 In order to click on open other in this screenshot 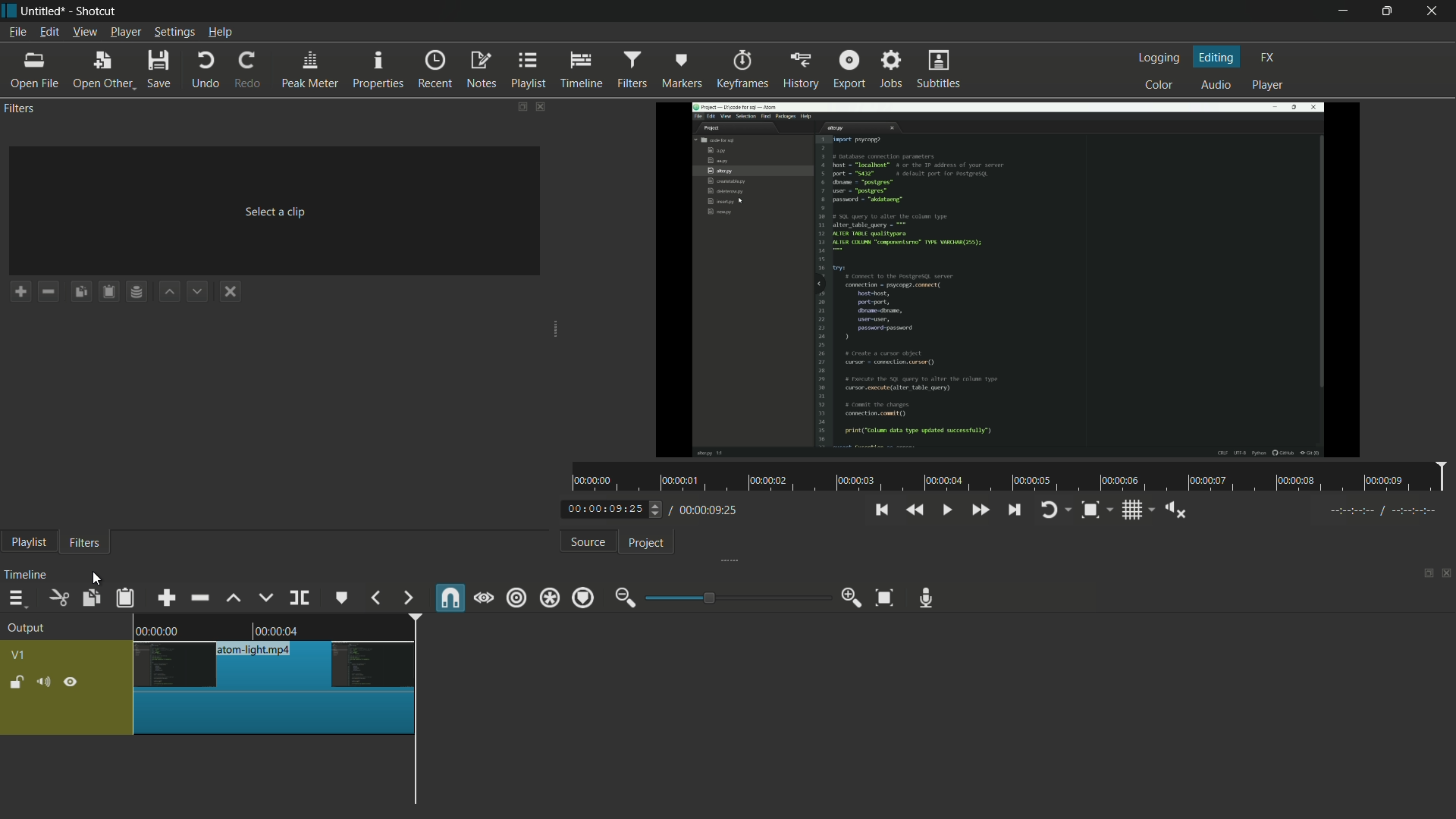, I will do `click(104, 71)`.